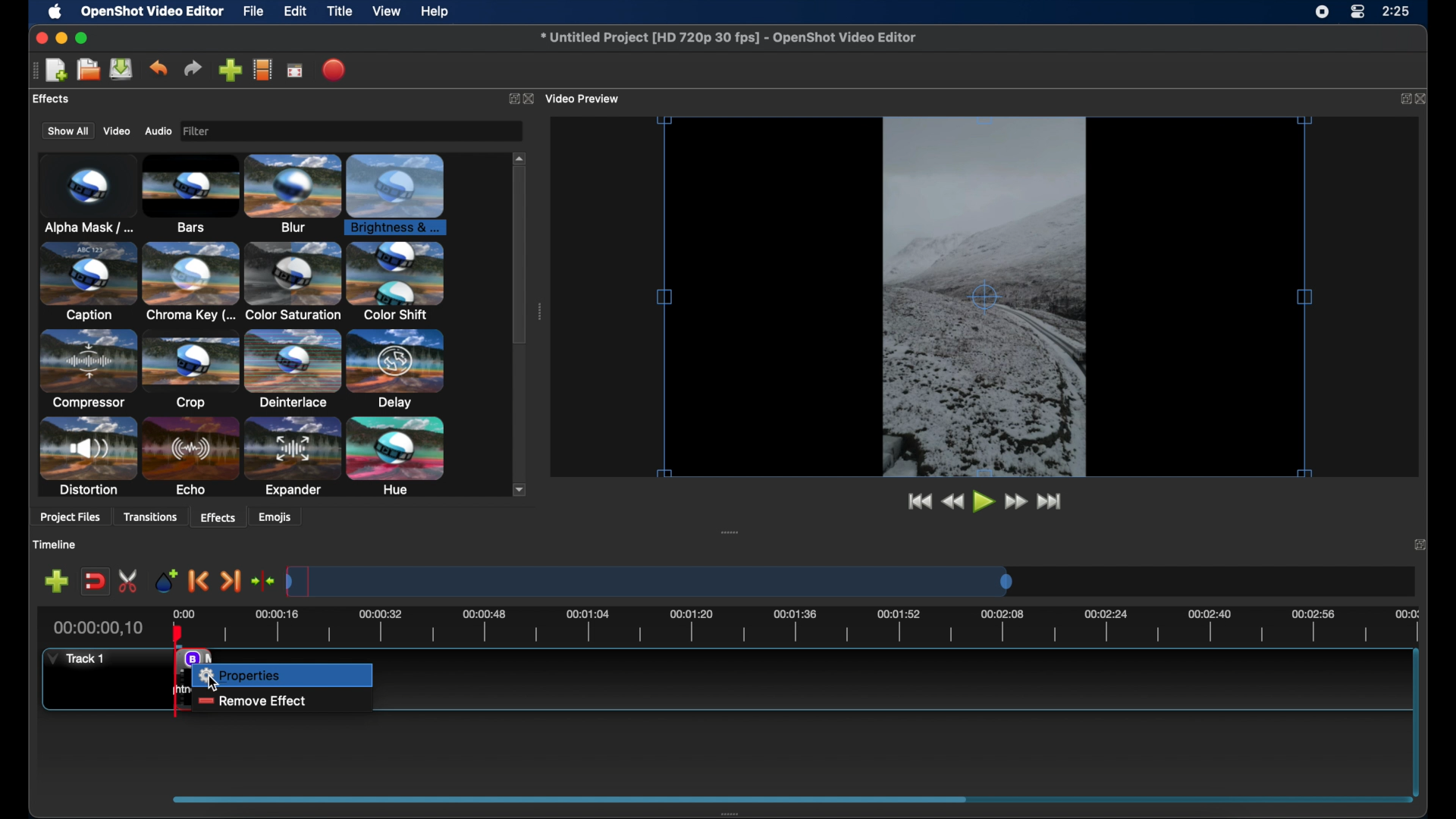 This screenshot has width=1456, height=819. I want to click on cursor, so click(213, 682).